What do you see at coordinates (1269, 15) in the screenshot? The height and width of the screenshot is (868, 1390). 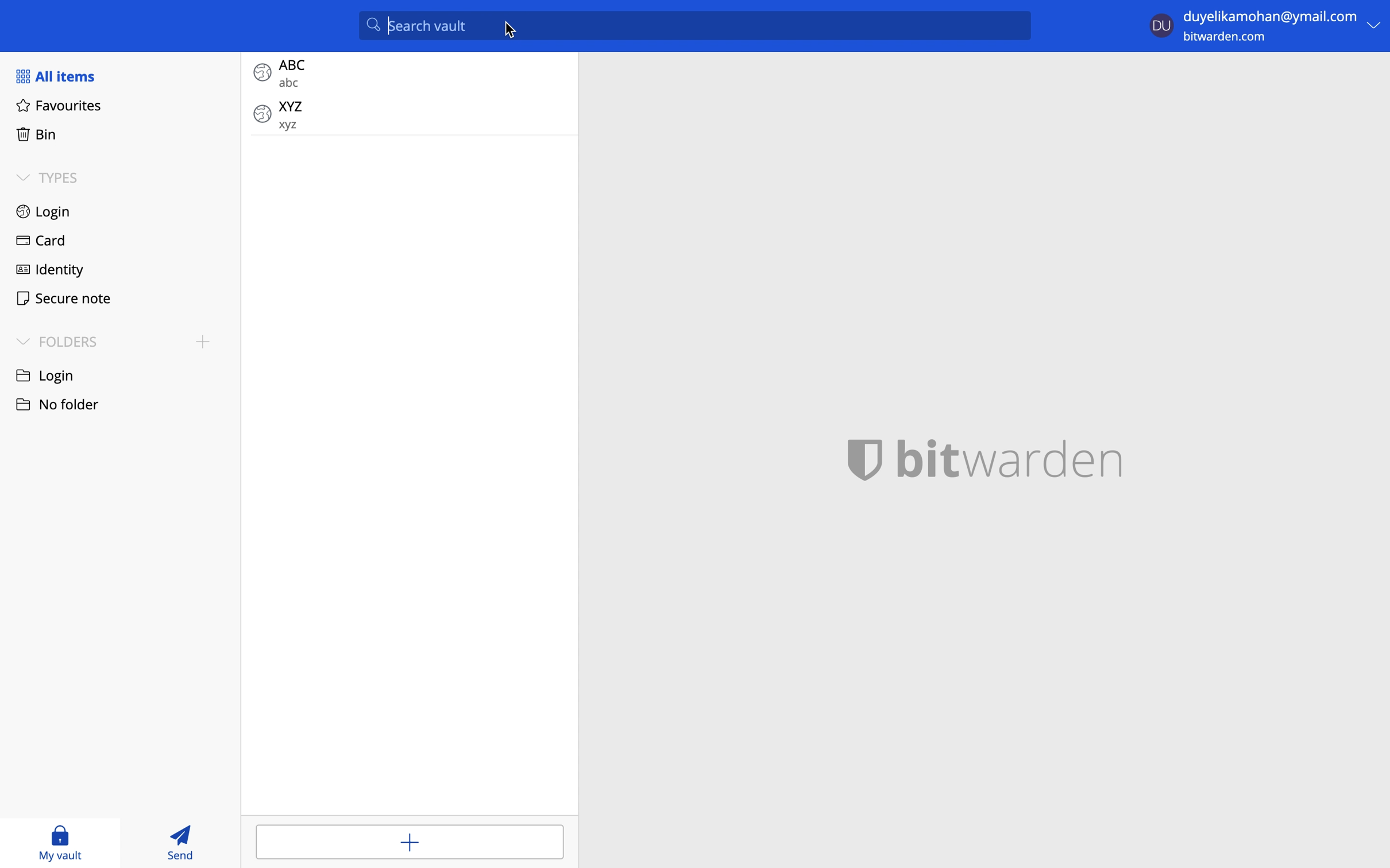 I see `login email id` at bounding box center [1269, 15].